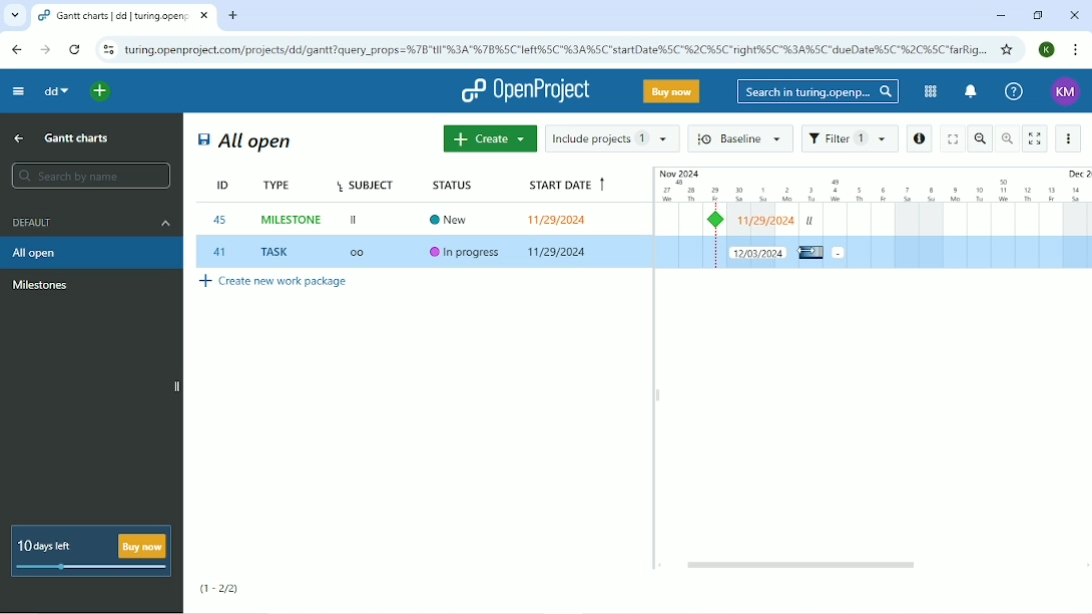 The width and height of the screenshot is (1092, 614). I want to click on Search tabs, so click(15, 15).